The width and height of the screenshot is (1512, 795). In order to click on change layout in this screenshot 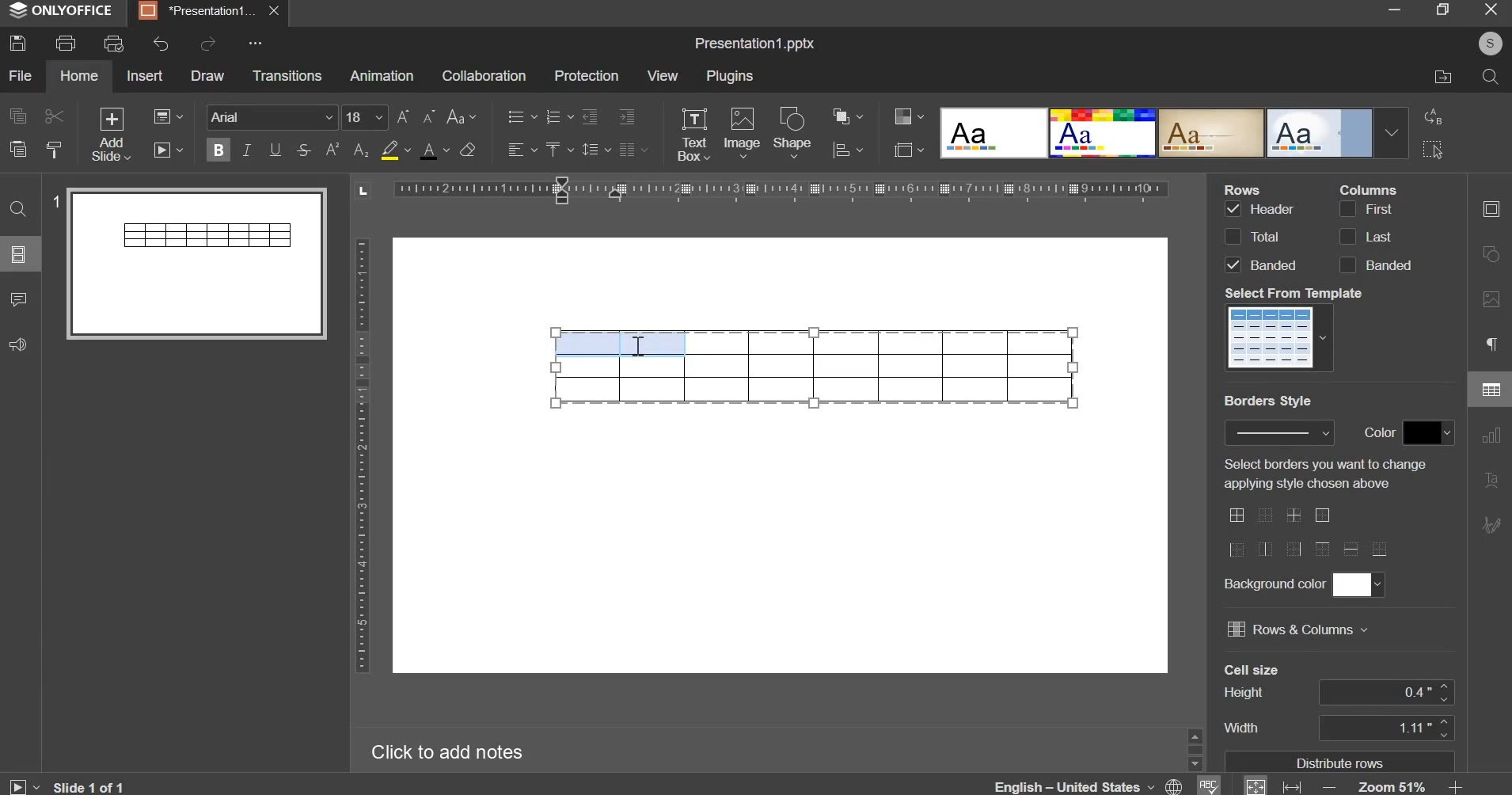, I will do `click(167, 116)`.